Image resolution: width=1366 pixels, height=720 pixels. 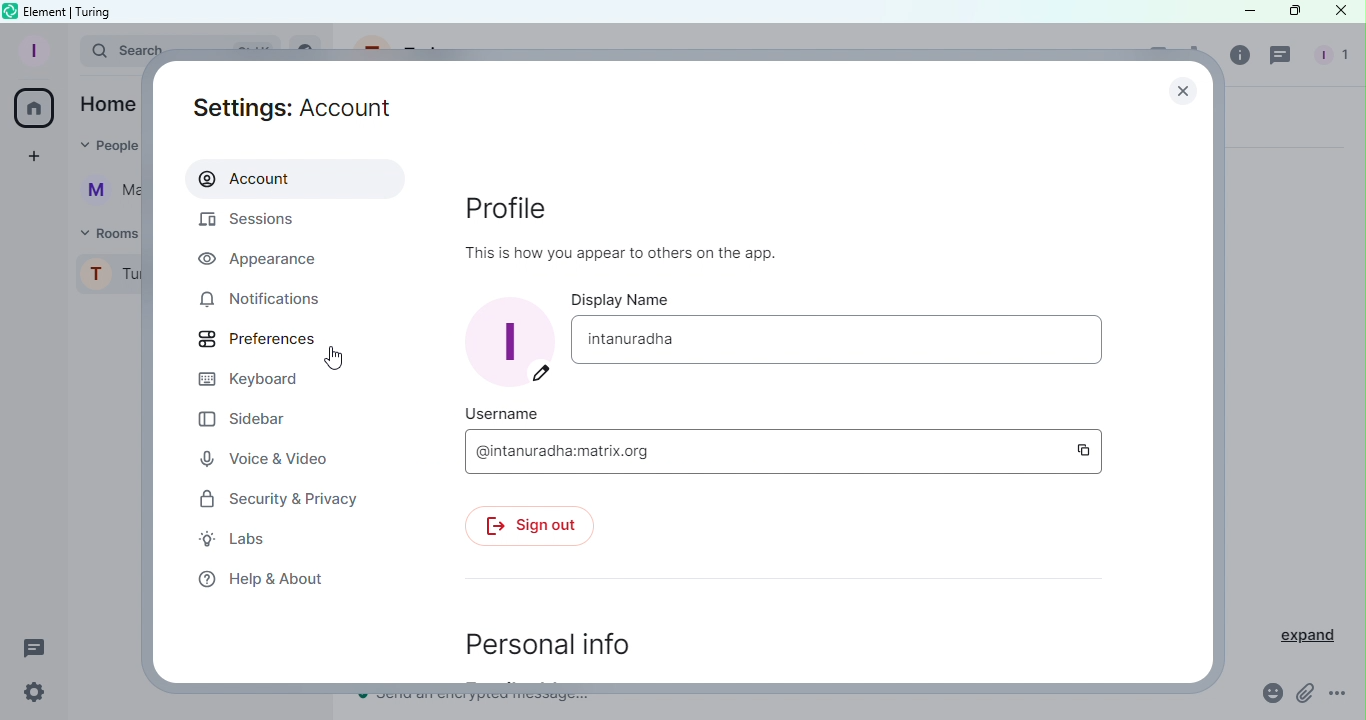 I want to click on Minimize, so click(x=1237, y=12).